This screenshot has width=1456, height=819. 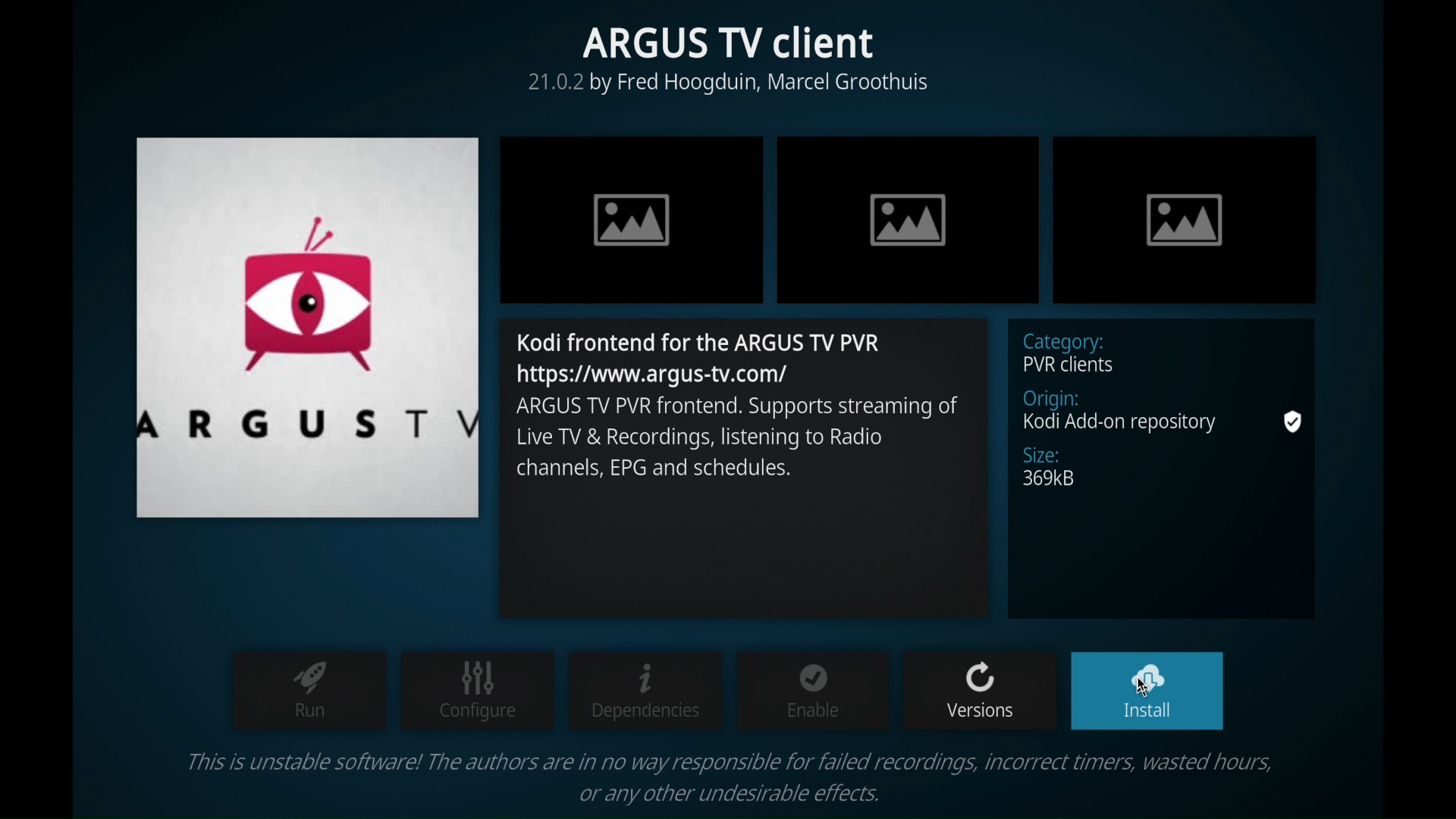 I want to click on Image, so click(x=1181, y=216).